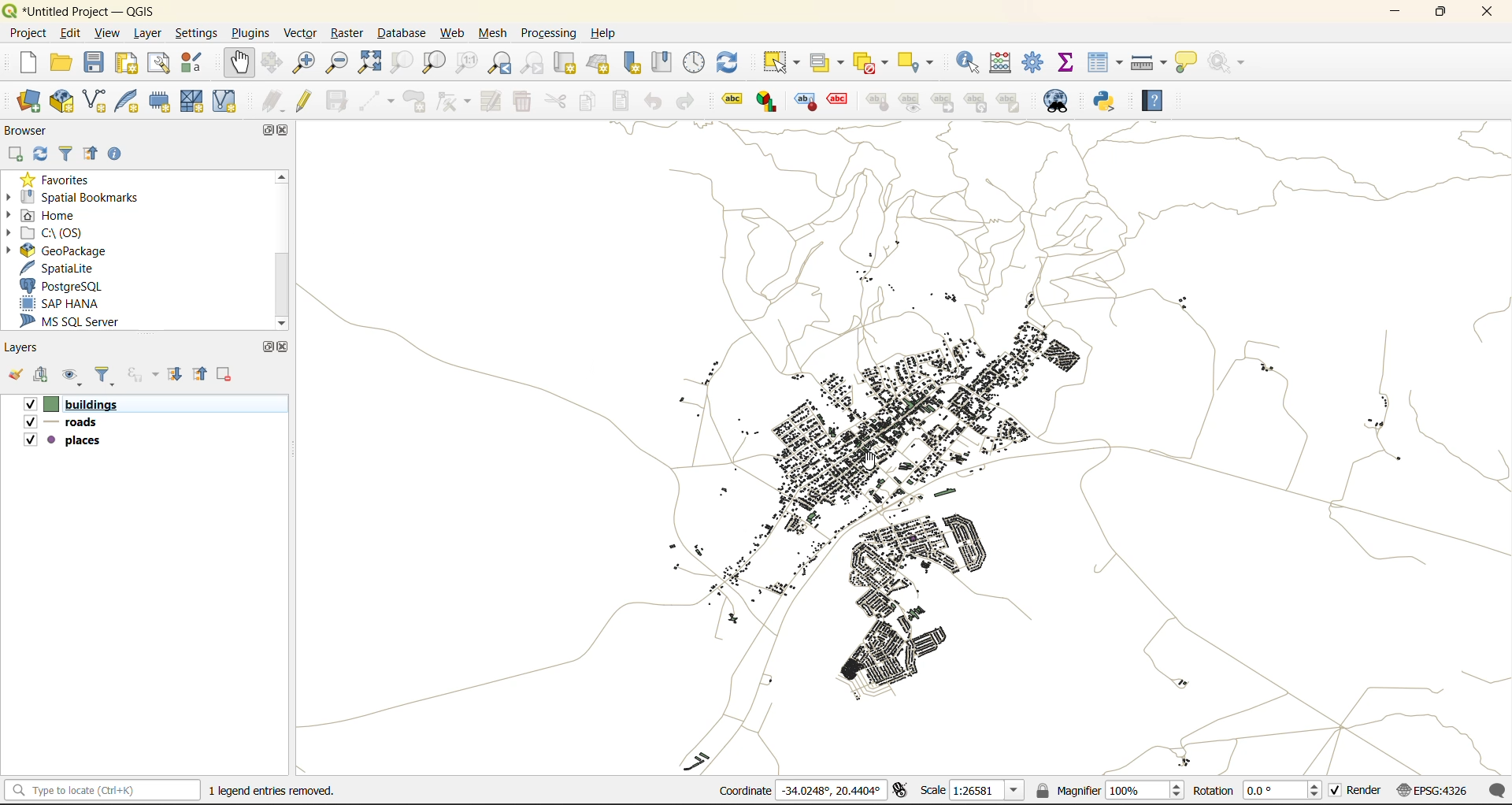 Image resolution: width=1512 pixels, height=805 pixels. Describe the element at coordinates (732, 102) in the screenshot. I see `Label tool` at that location.